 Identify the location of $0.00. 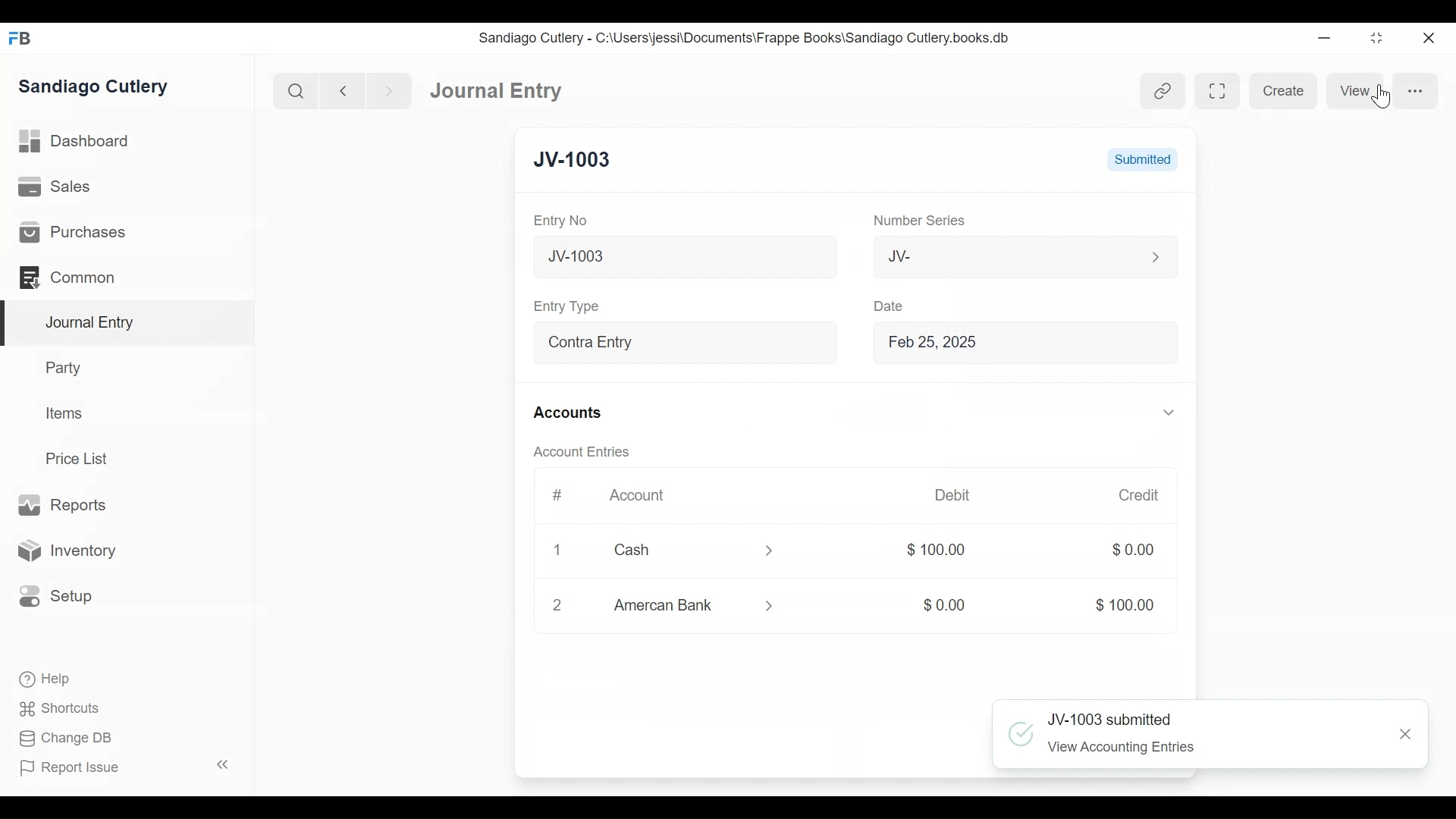
(1127, 551).